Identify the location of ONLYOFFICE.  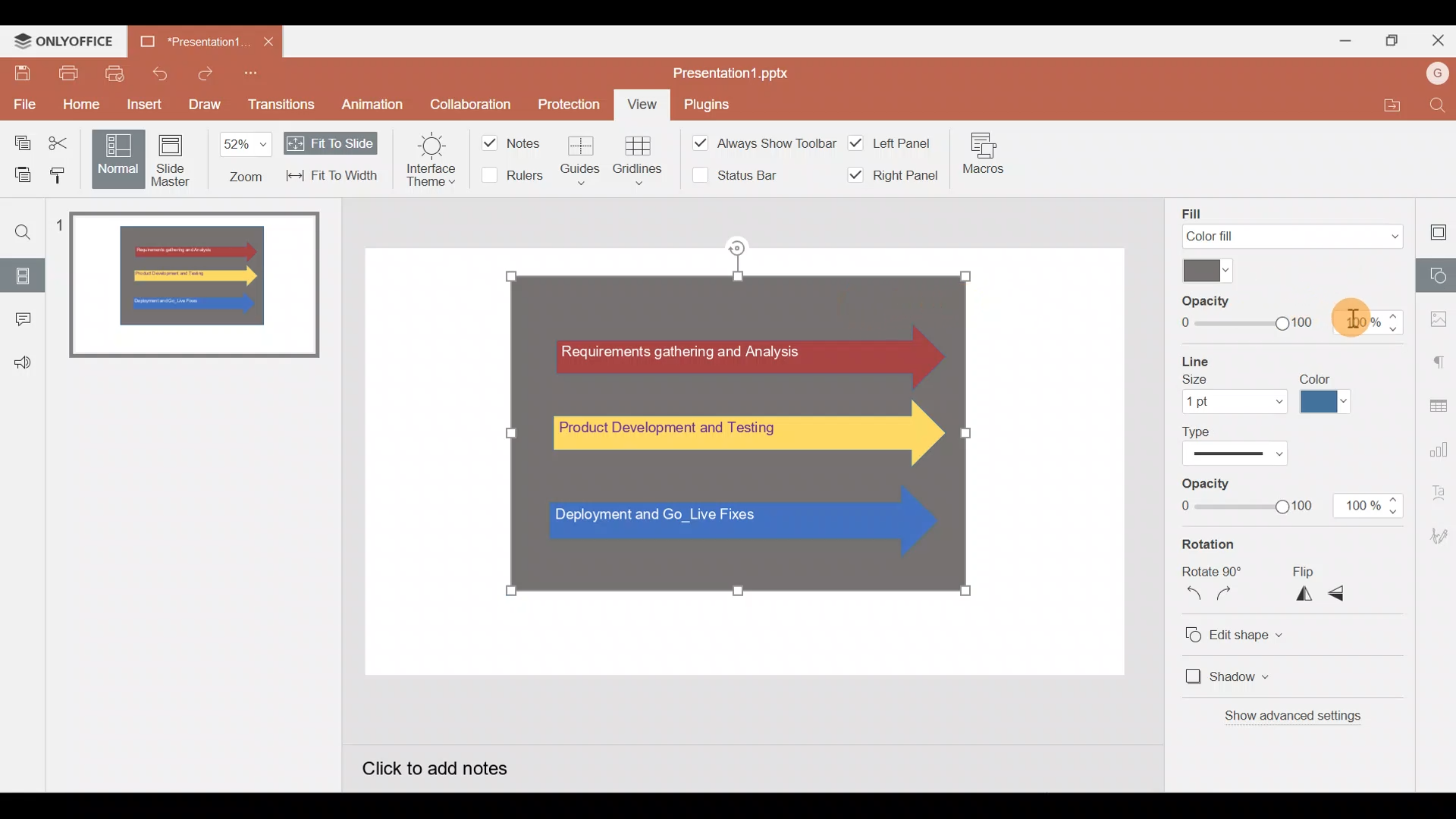
(64, 42).